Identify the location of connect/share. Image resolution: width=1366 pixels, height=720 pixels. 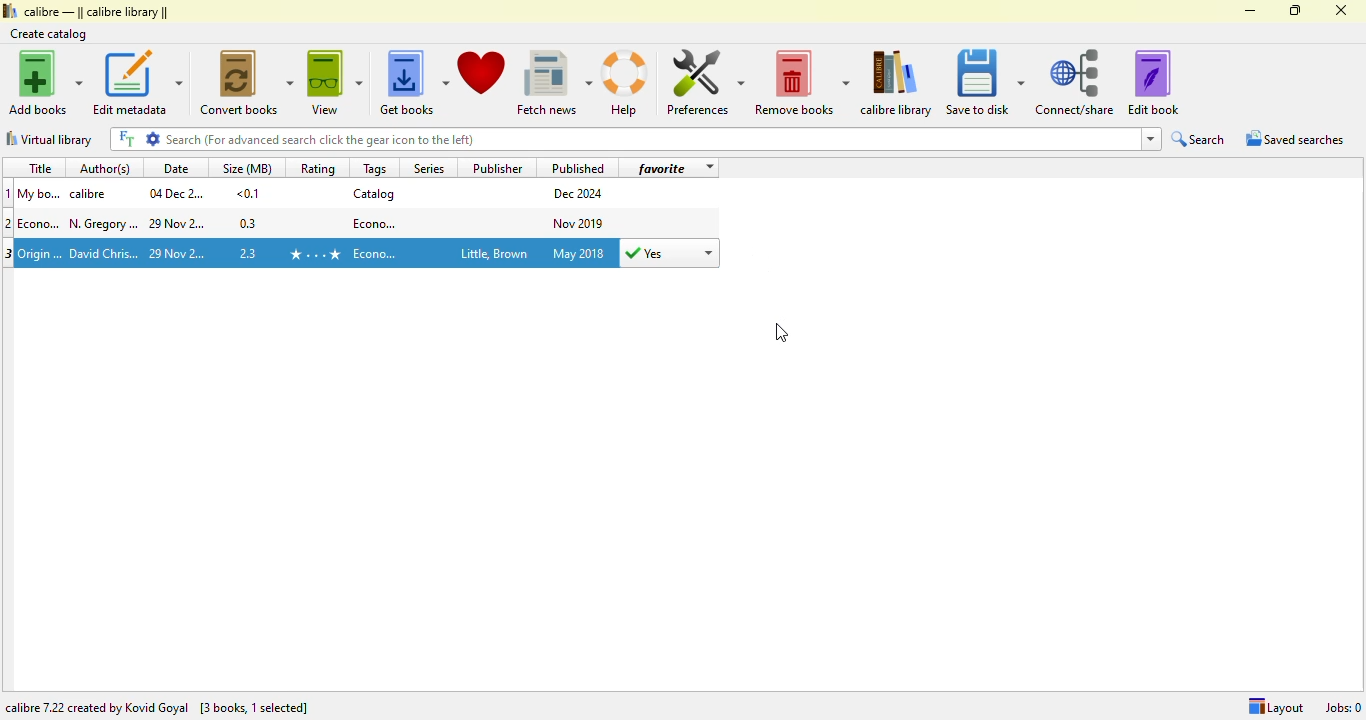
(1075, 82).